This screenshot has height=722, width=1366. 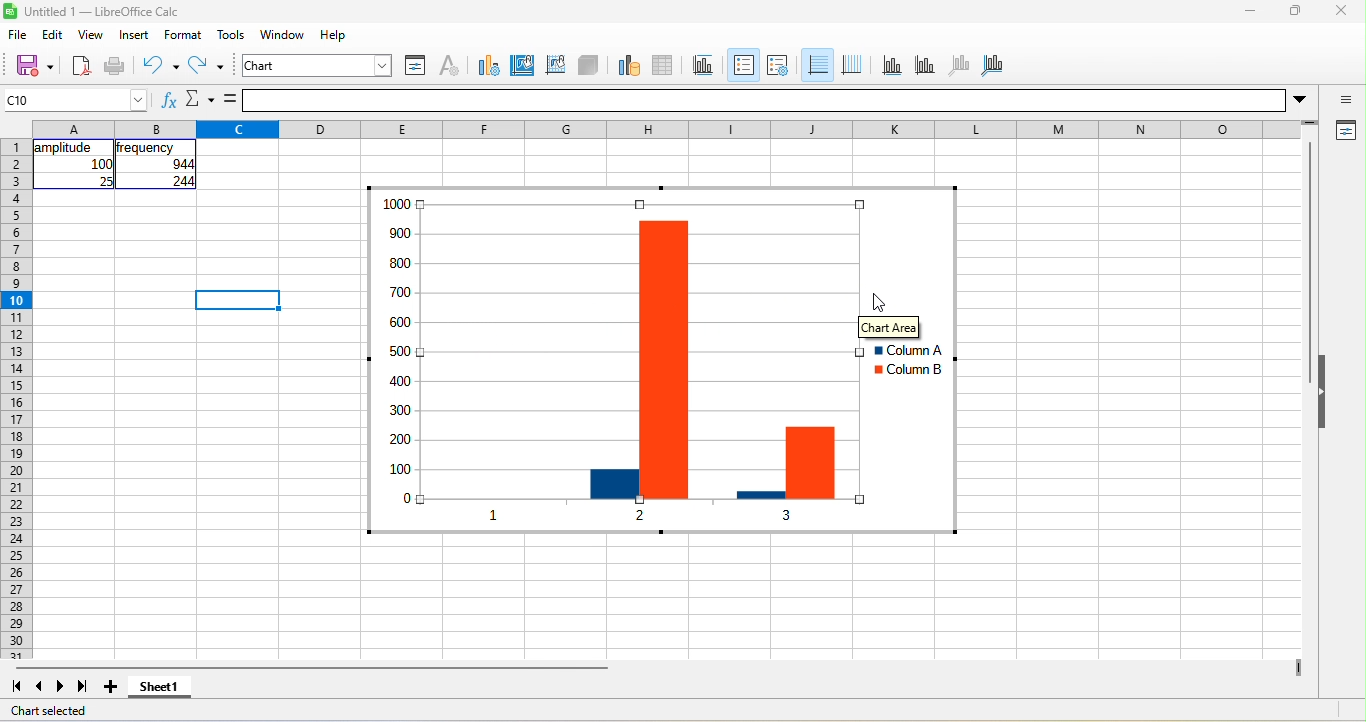 I want to click on character, so click(x=448, y=65).